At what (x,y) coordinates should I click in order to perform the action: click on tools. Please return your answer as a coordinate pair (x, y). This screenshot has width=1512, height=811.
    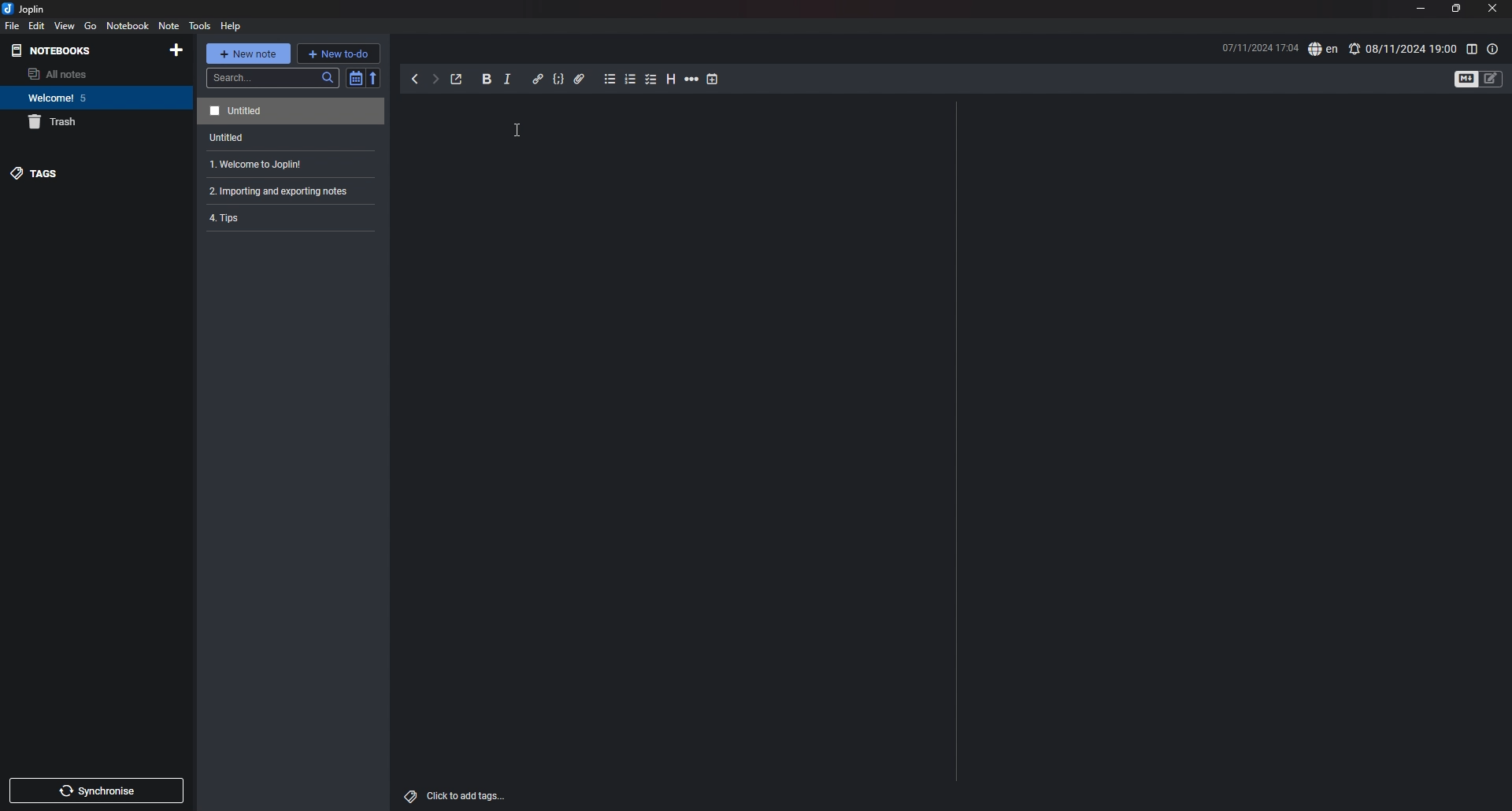
    Looking at the image, I should click on (199, 26).